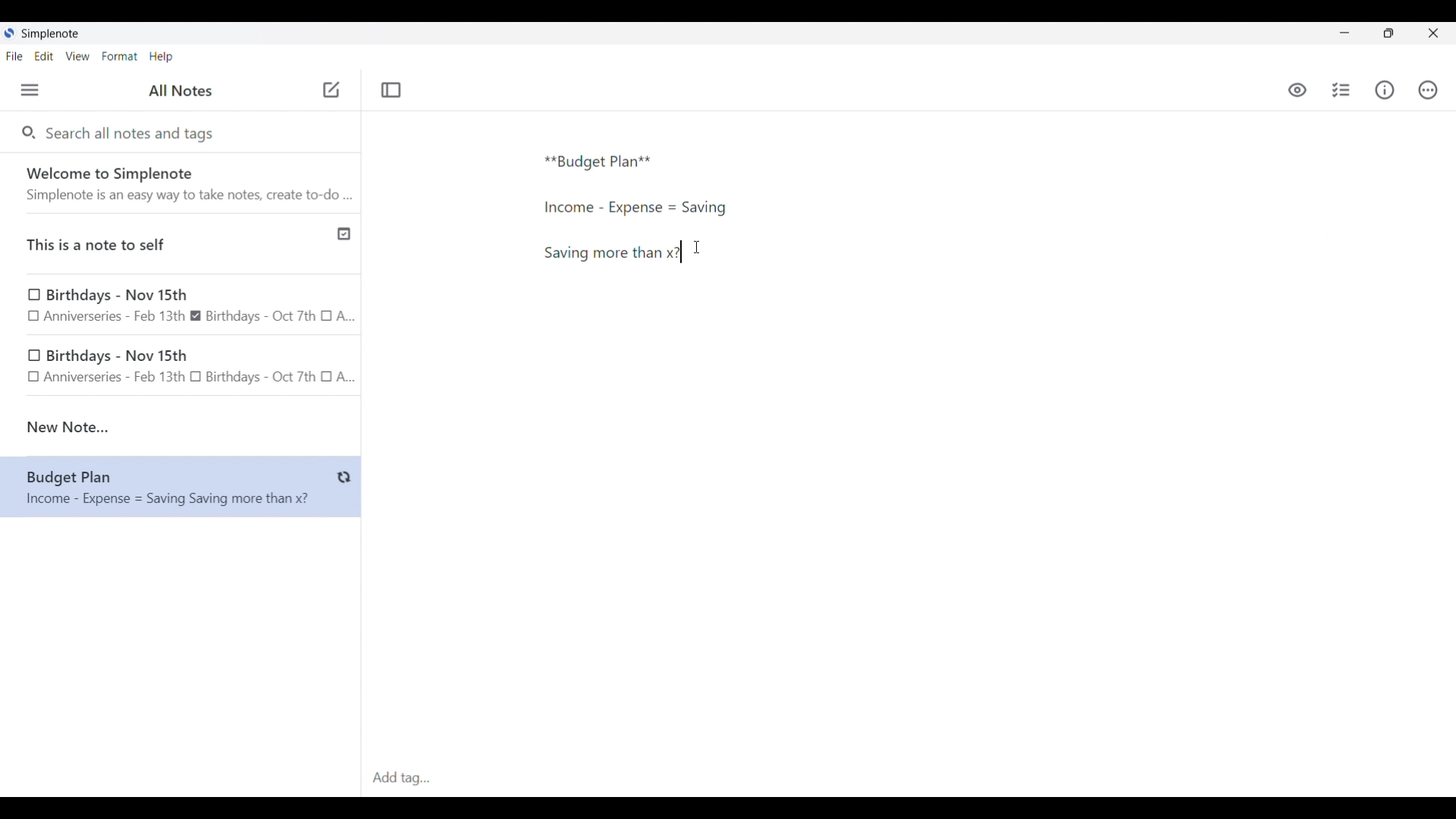 This screenshot has width=1456, height=819. Describe the element at coordinates (598, 162) in the screenshot. I see `Text typed in` at that location.